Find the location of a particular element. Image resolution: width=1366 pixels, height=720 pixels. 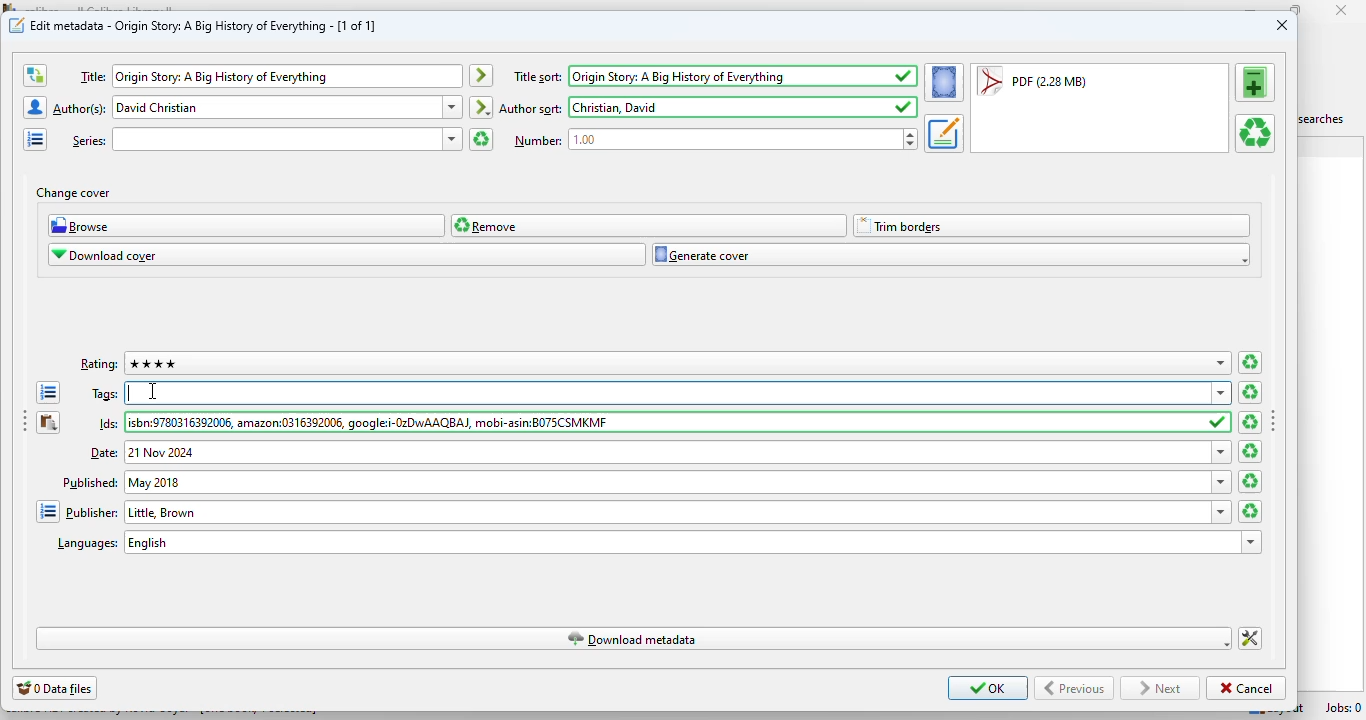

automatically create the title sort entry based on the current title entry is located at coordinates (481, 76).